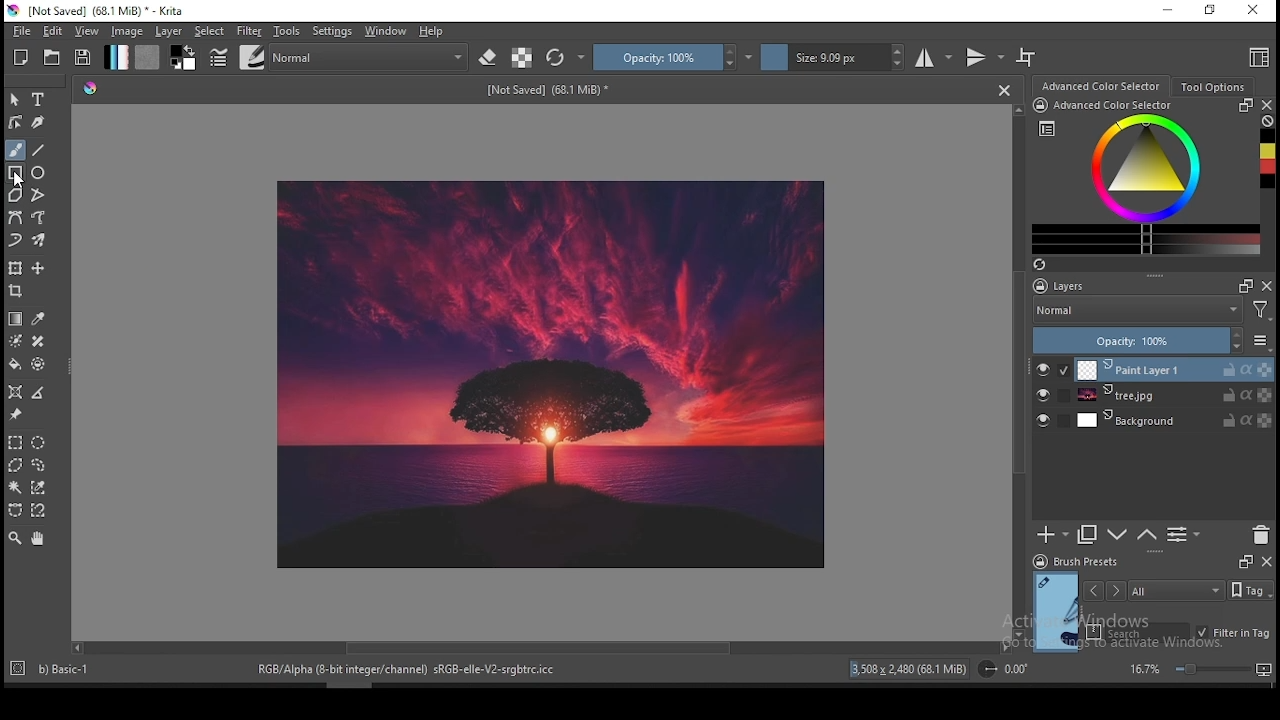 Image resolution: width=1280 pixels, height=720 pixels. What do you see at coordinates (1267, 120) in the screenshot?
I see `Clear` at bounding box center [1267, 120].